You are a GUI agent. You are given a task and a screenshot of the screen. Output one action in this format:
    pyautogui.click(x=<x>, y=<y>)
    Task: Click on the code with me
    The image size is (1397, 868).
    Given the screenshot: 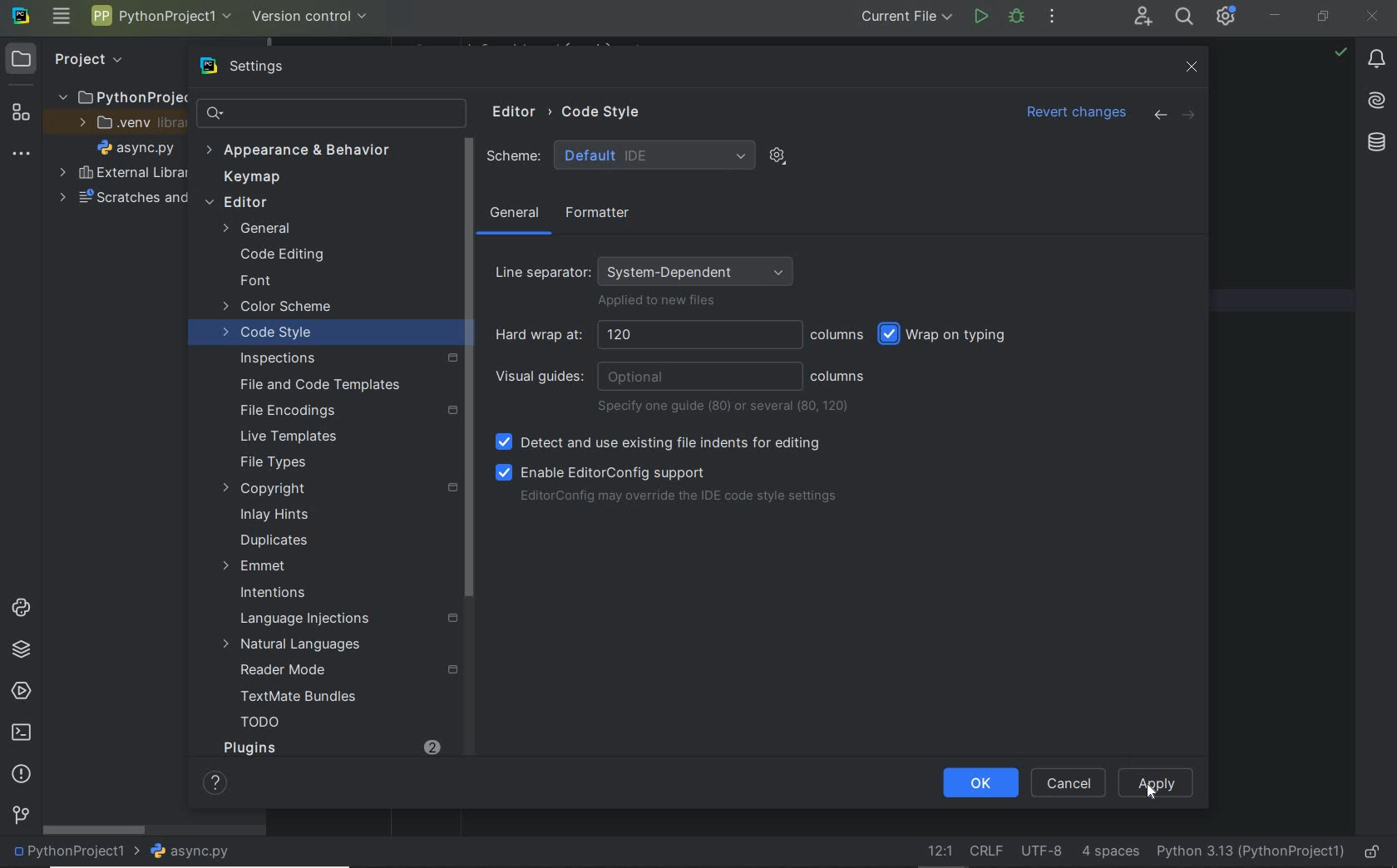 What is the action you would take?
    pyautogui.click(x=1142, y=18)
    